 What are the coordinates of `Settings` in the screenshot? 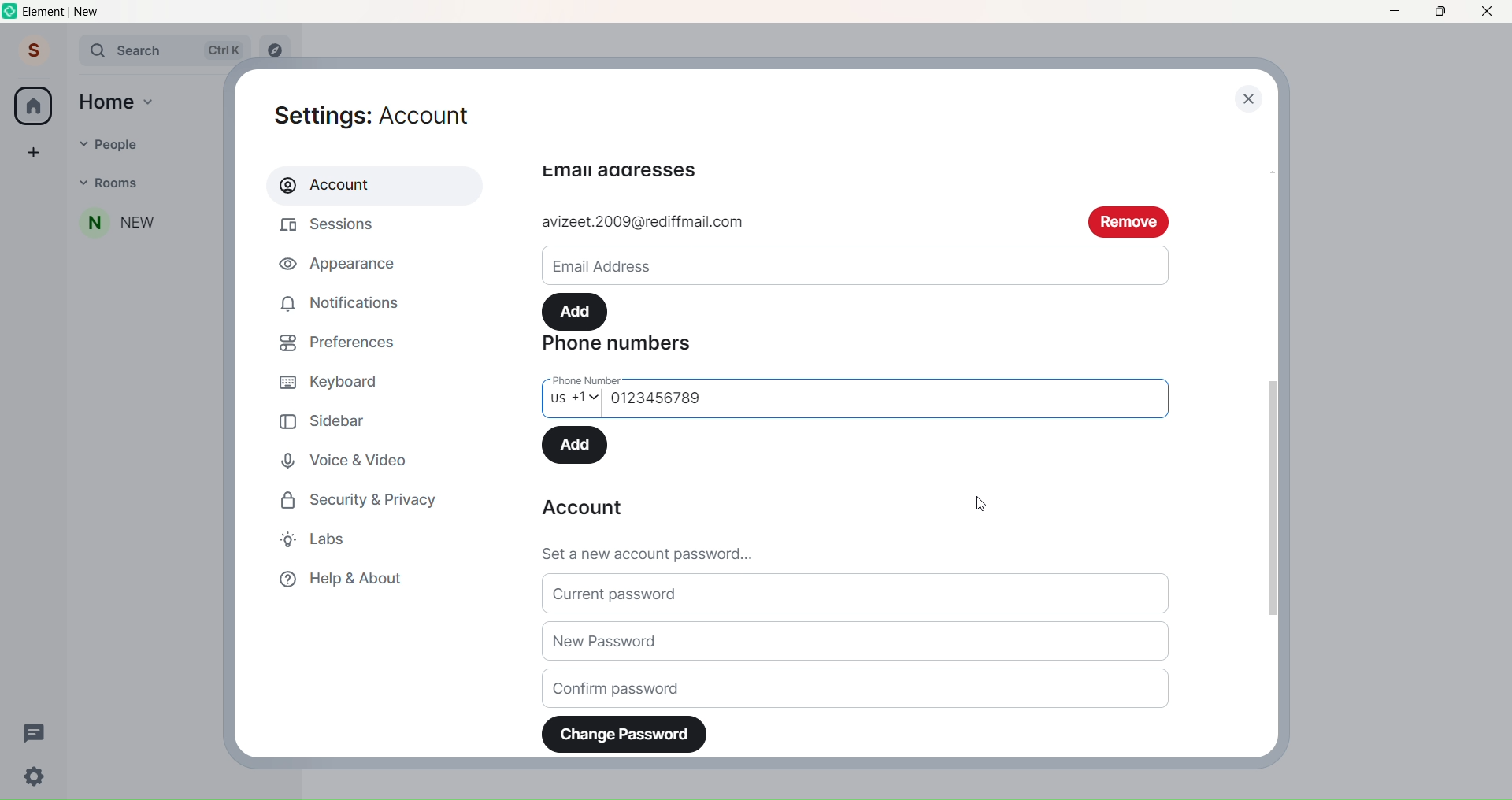 It's located at (384, 113).